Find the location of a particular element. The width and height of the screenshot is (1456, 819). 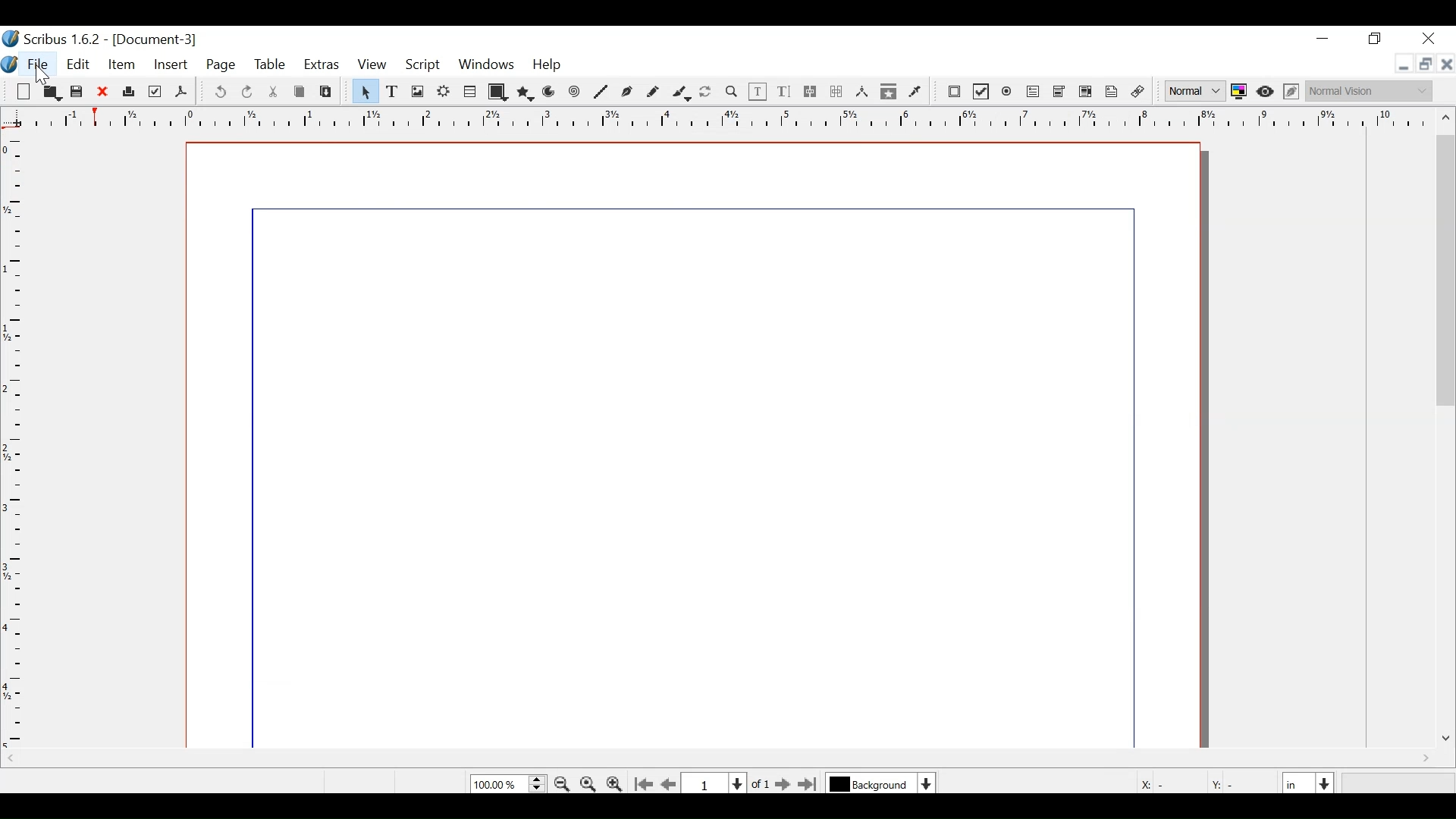

Edit Preview mode is located at coordinates (1293, 93).